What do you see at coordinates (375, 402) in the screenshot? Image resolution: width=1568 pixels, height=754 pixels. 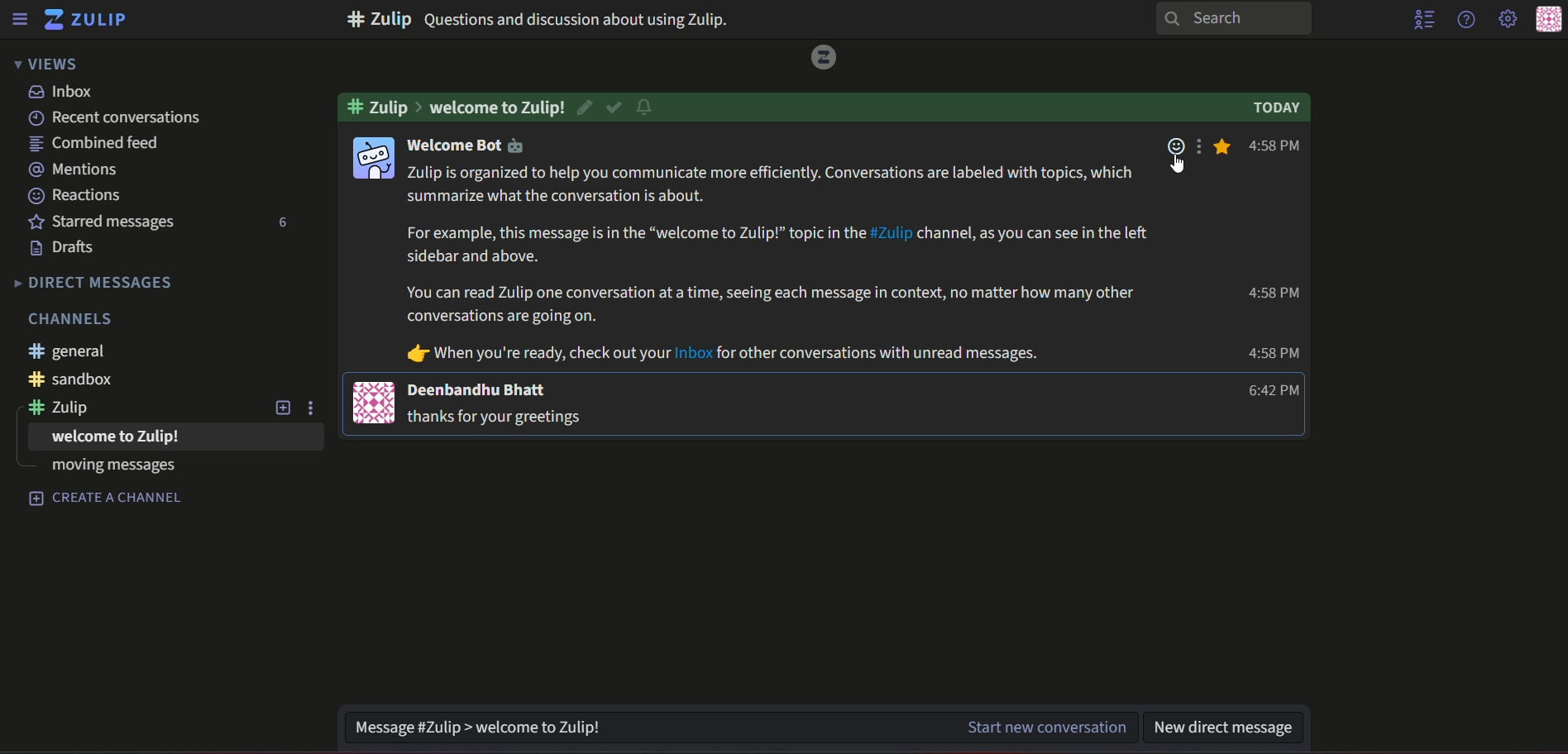 I see `icon` at bounding box center [375, 402].